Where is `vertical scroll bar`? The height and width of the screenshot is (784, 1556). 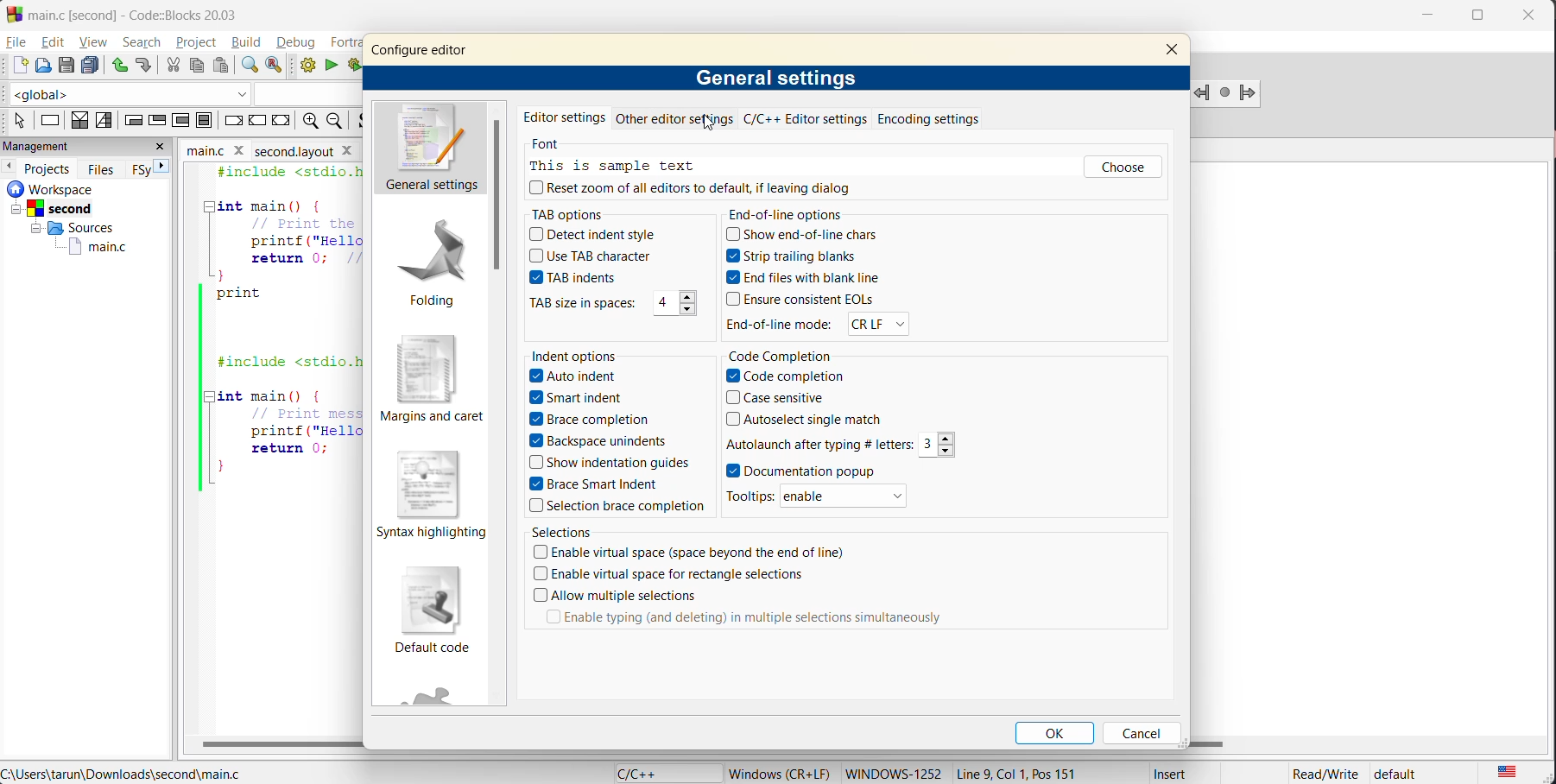
vertical scroll bar is located at coordinates (495, 194).